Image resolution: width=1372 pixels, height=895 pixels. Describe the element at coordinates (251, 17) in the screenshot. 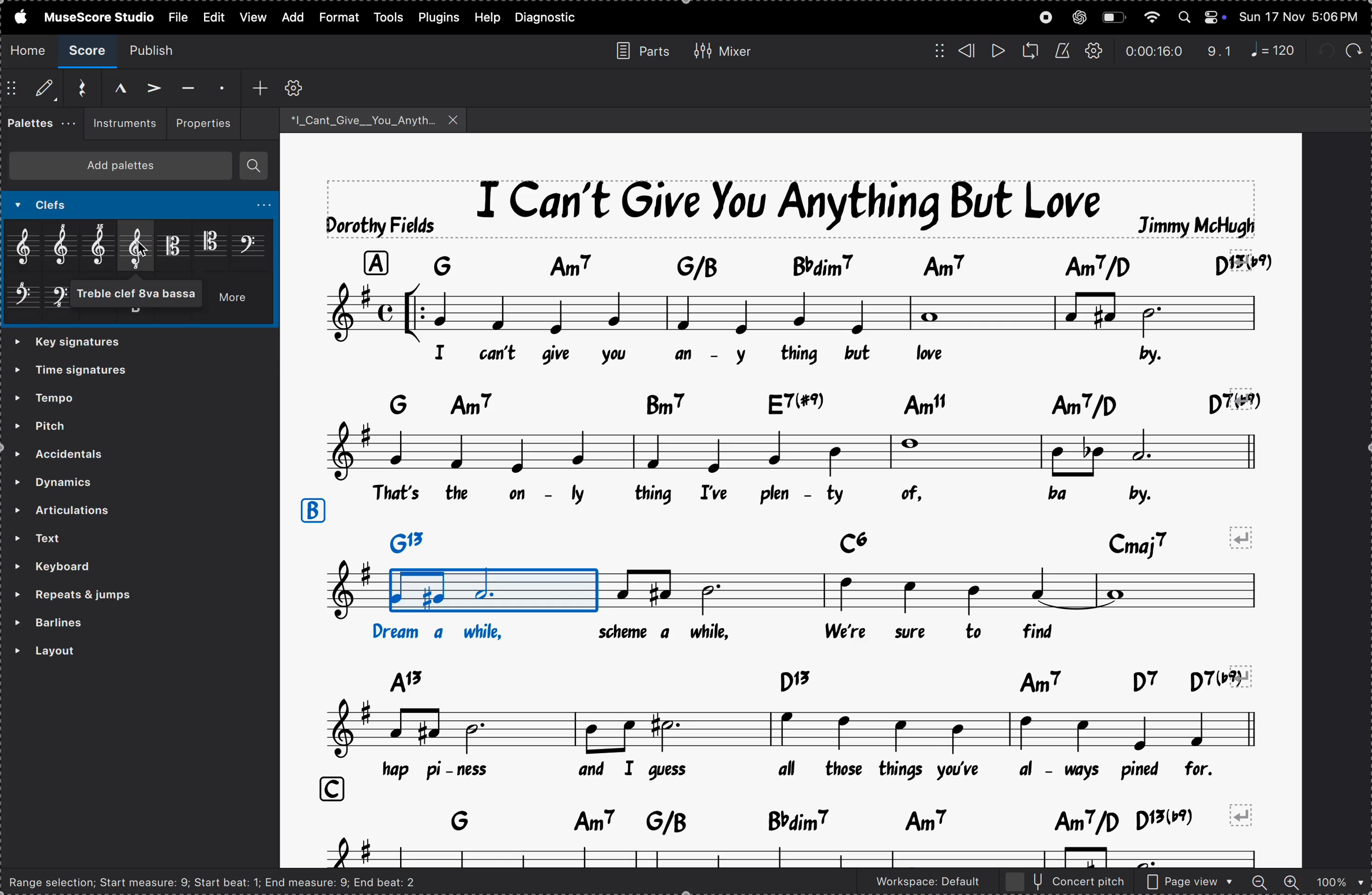

I see `view` at that location.